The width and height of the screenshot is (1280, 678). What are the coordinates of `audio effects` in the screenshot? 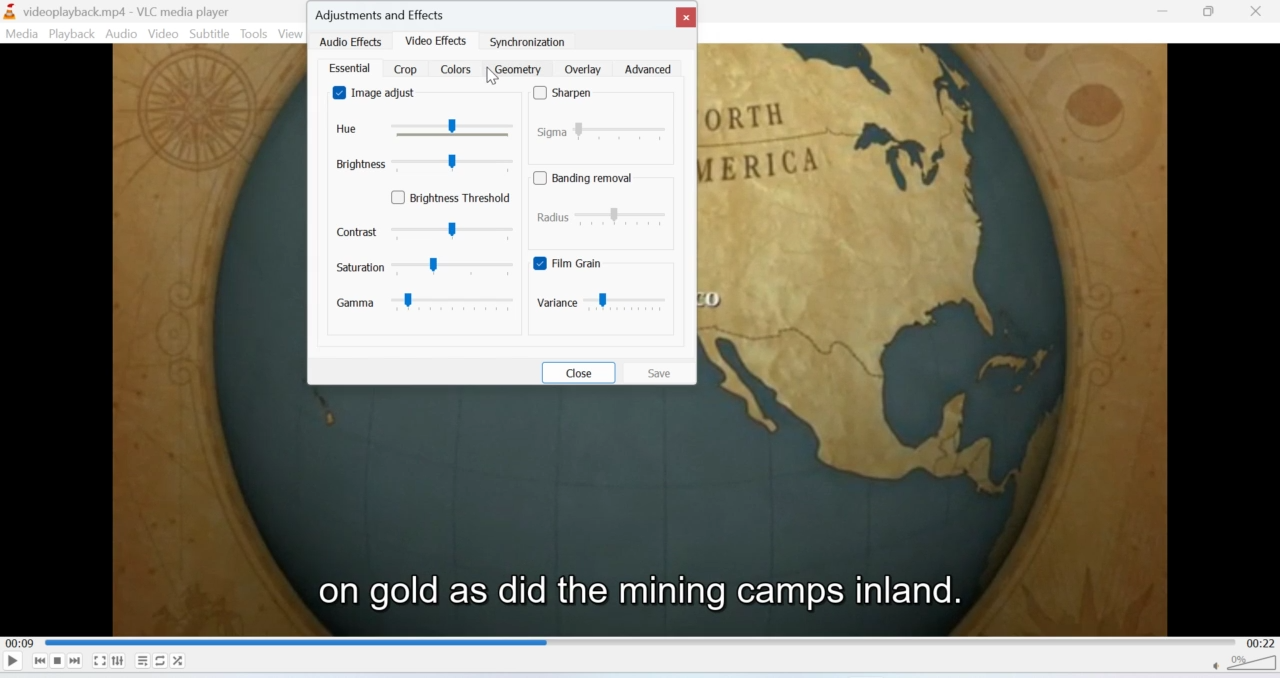 It's located at (351, 43).